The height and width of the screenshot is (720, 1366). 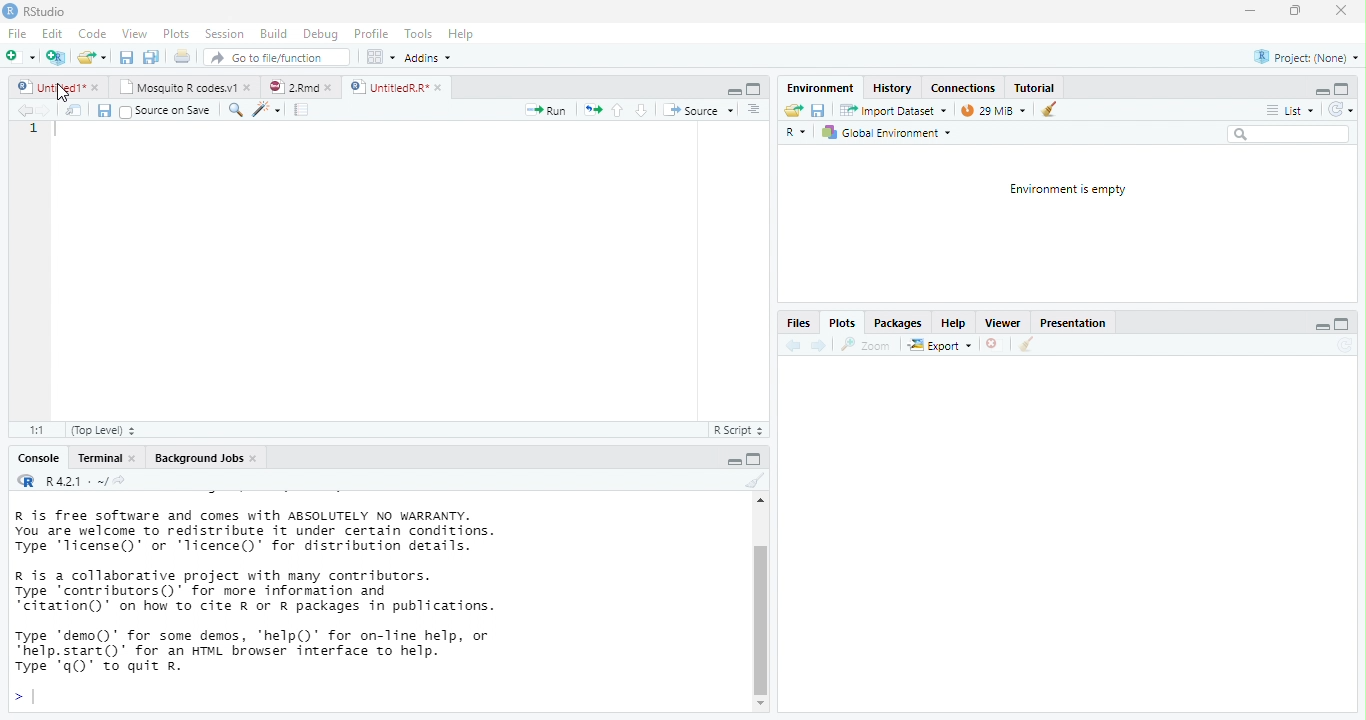 I want to click on Presentation, so click(x=1071, y=325).